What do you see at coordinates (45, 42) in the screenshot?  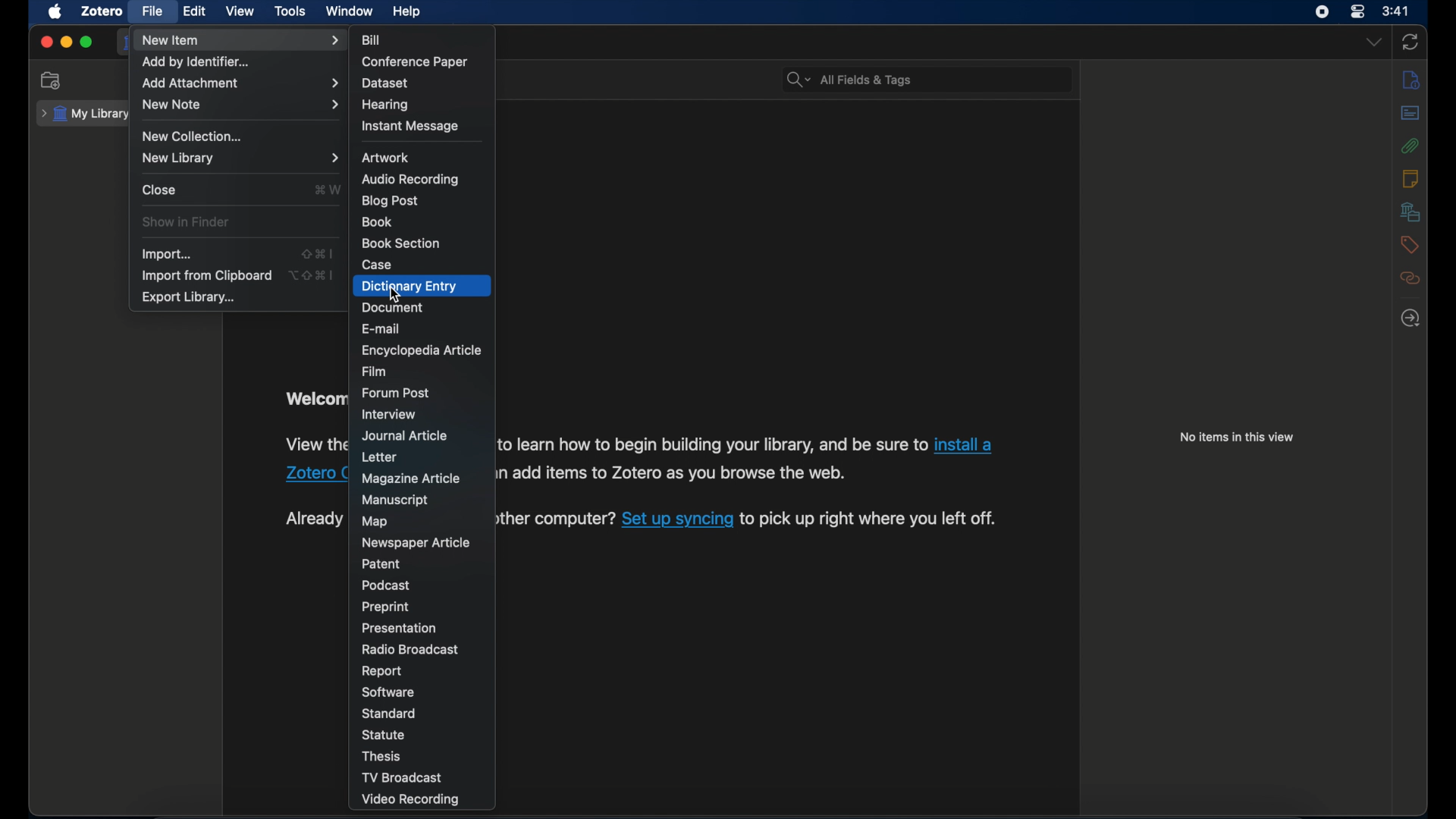 I see `close` at bounding box center [45, 42].